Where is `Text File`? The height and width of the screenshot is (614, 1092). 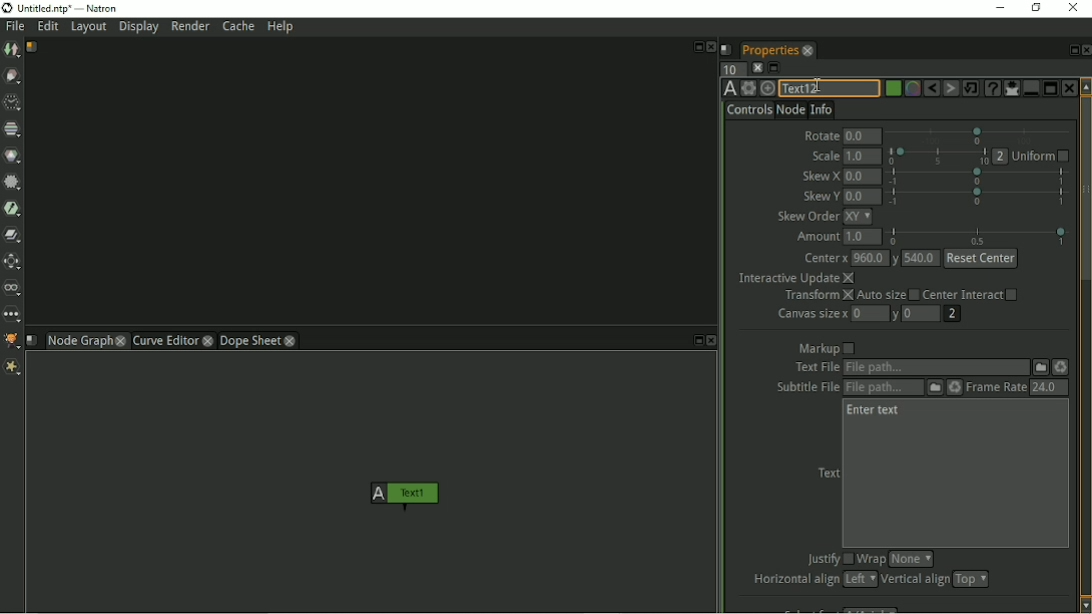
Text File is located at coordinates (814, 368).